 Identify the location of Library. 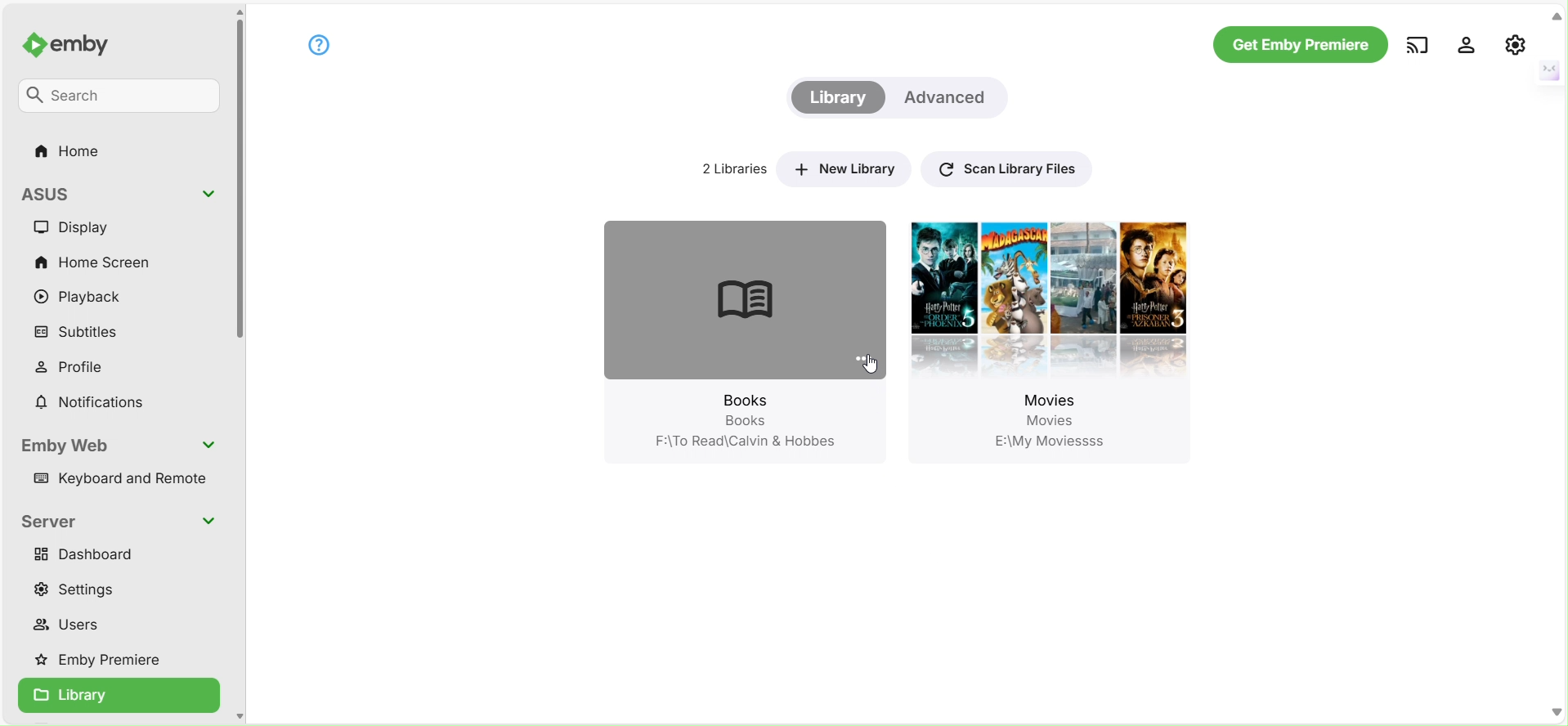
(836, 98).